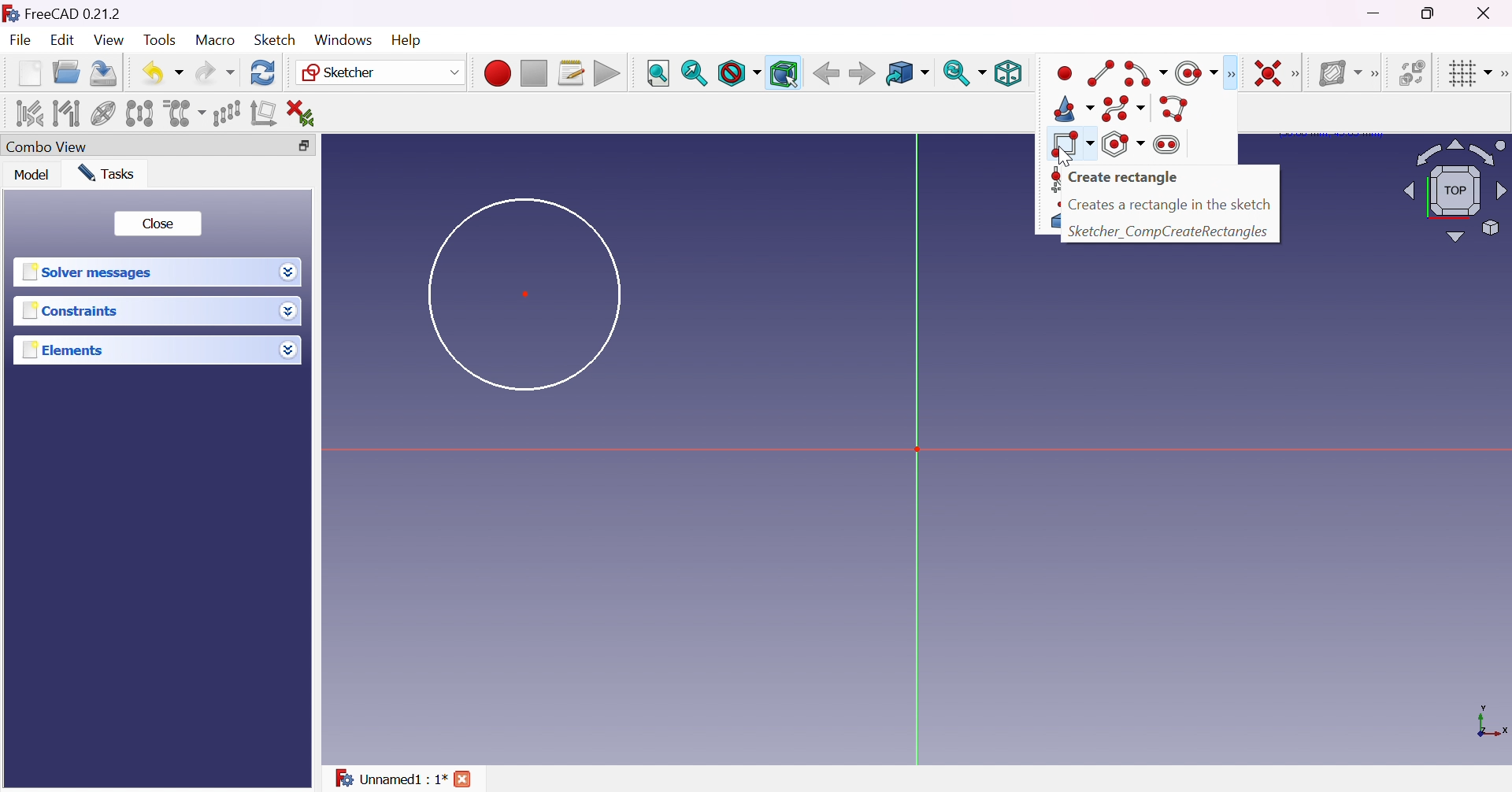 The image size is (1512, 792). I want to click on Undo, so click(163, 72).